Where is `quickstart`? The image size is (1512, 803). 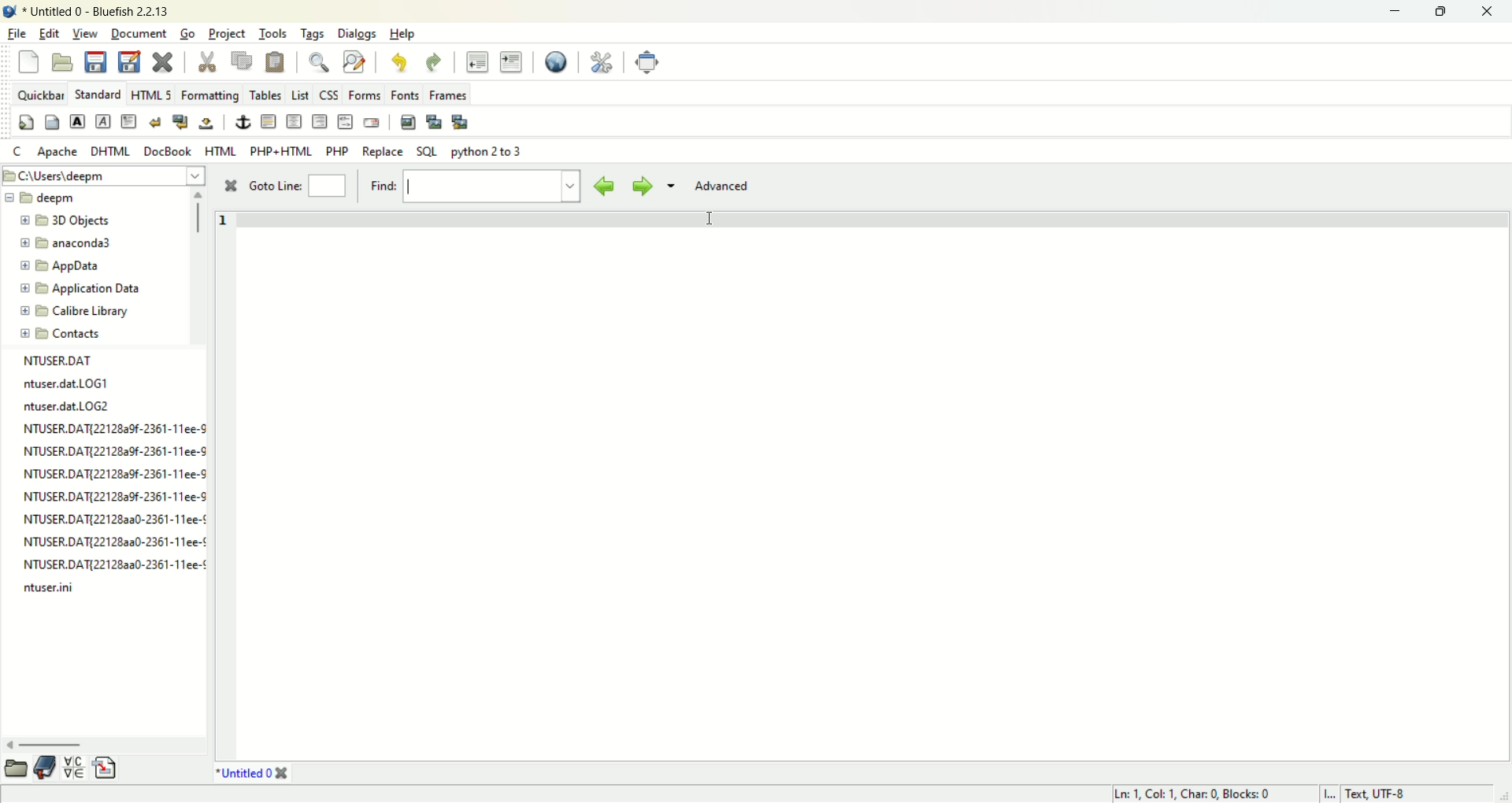
quickstart is located at coordinates (28, 123).